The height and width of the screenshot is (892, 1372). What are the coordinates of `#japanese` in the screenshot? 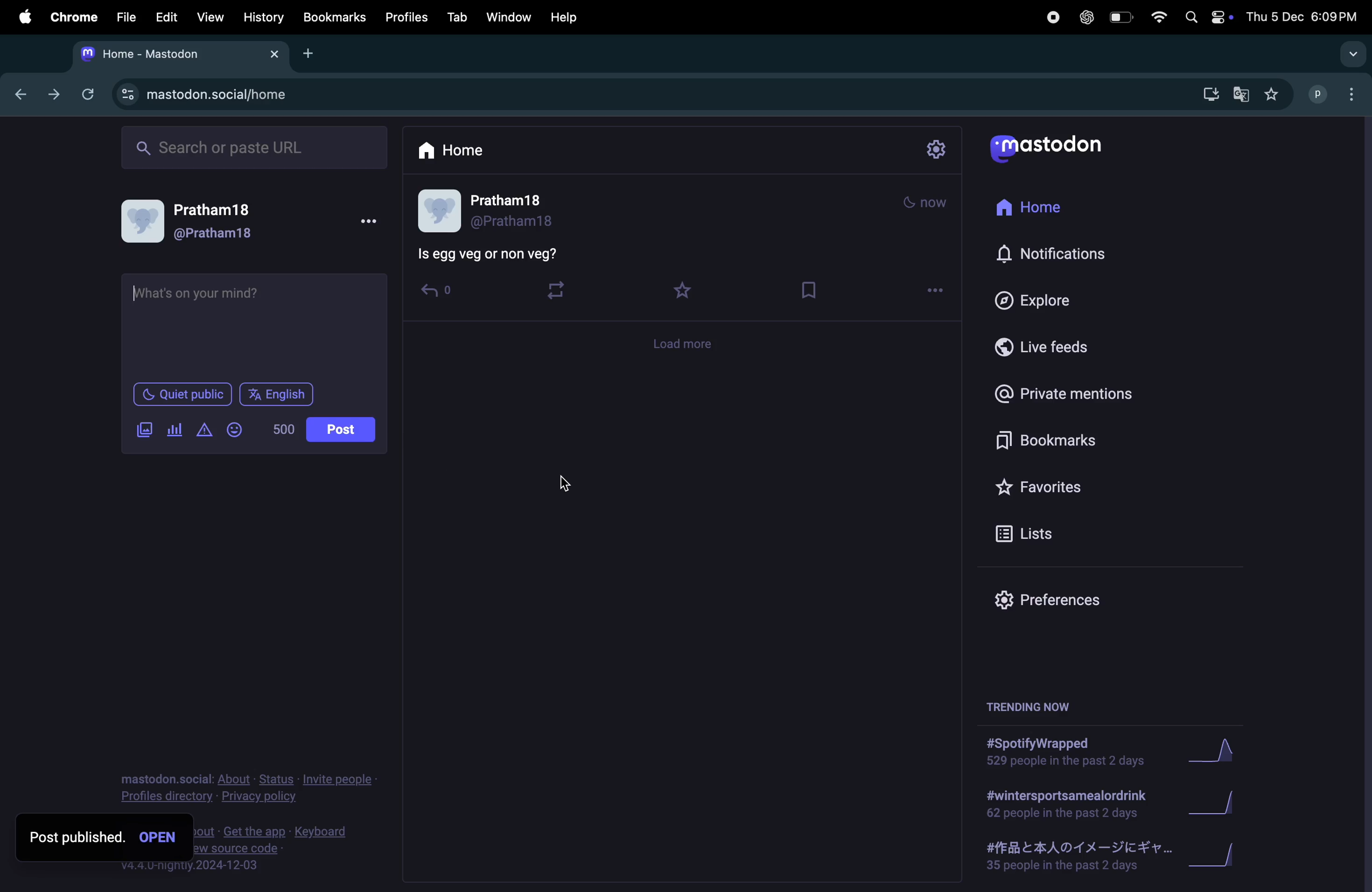 It's located at (1072, 858).